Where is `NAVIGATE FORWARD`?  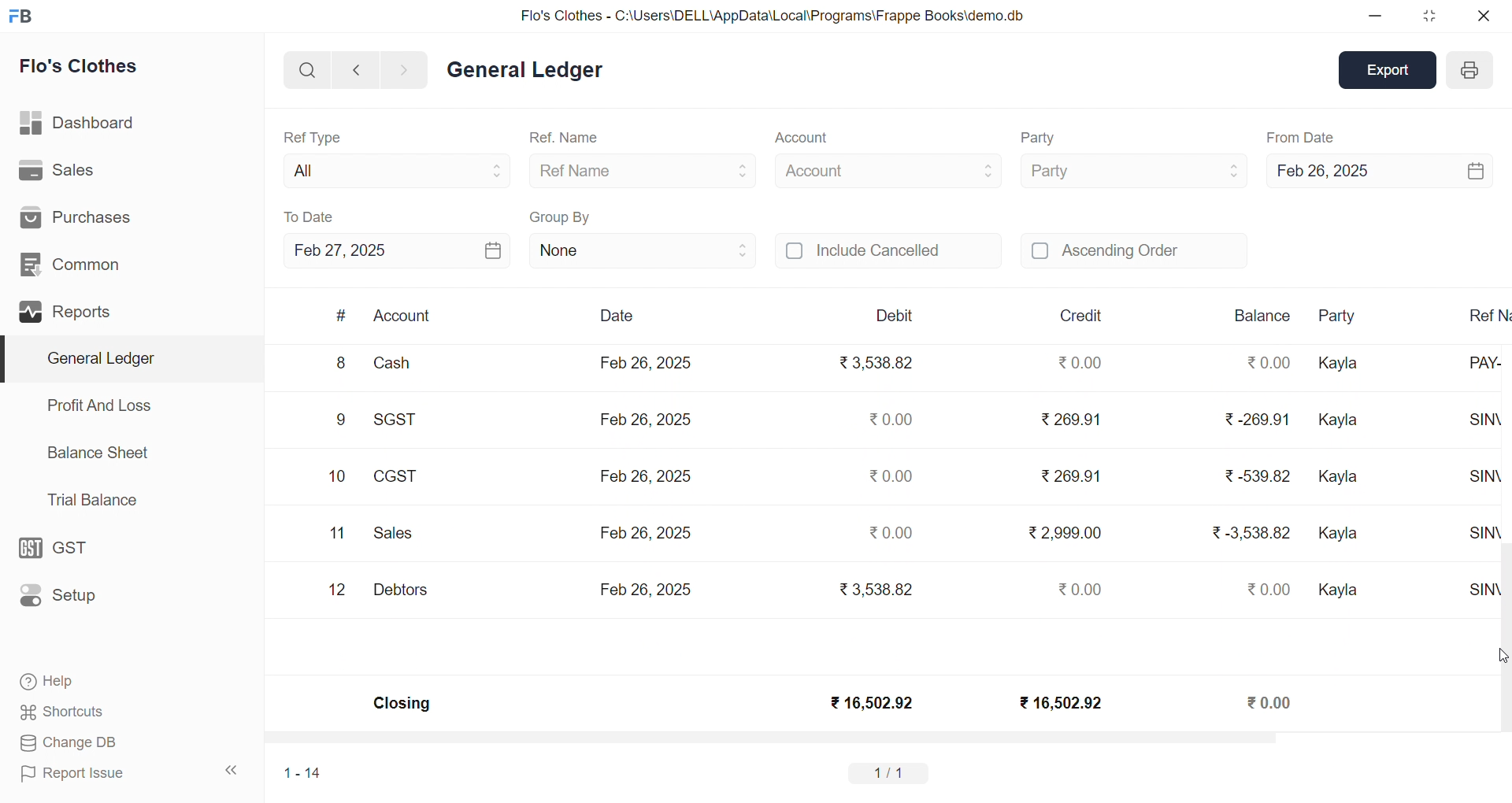 NAVIGATE FORWARD is located at coordinates (410, 68).